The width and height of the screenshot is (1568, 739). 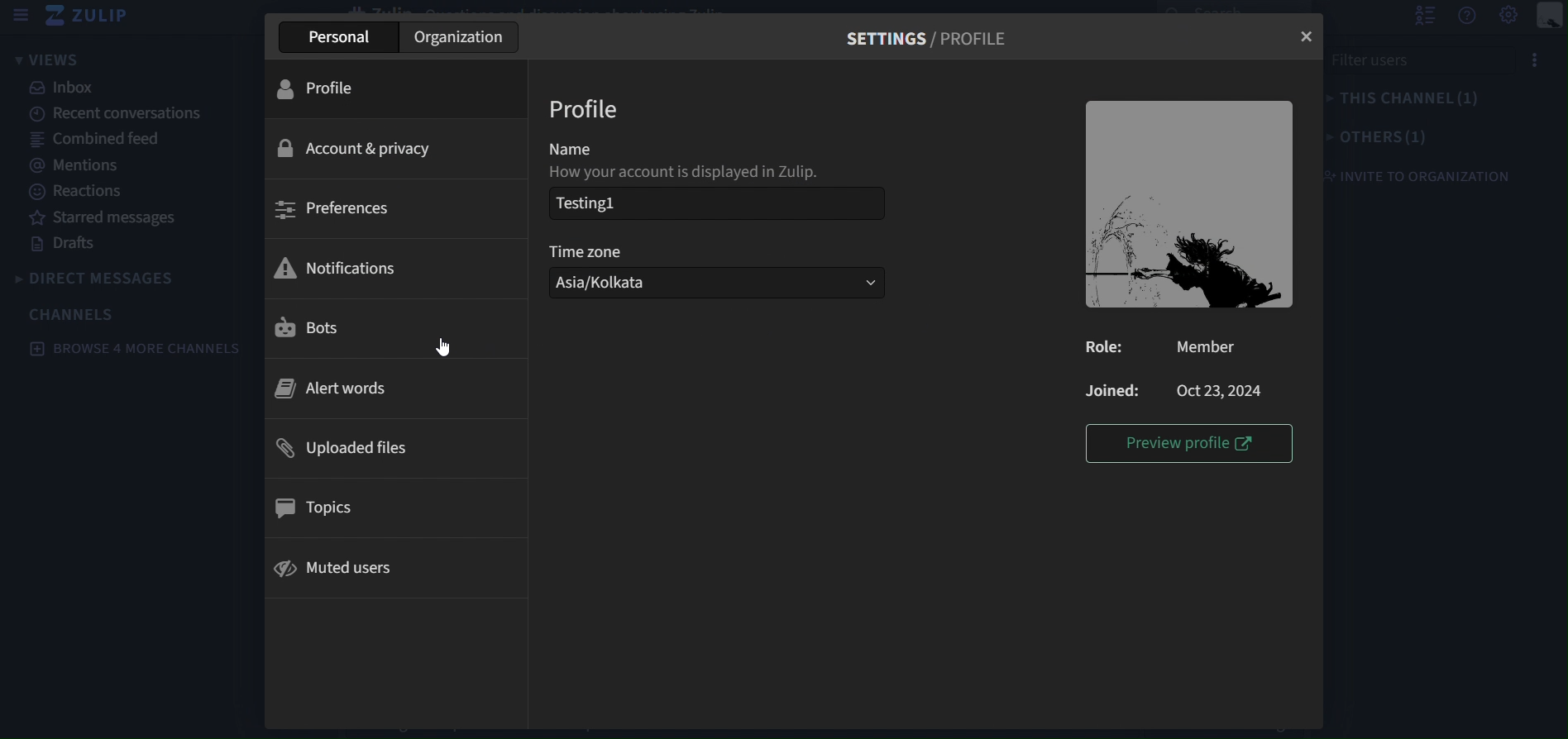 I want to click on name, so click(x=687, y=150).